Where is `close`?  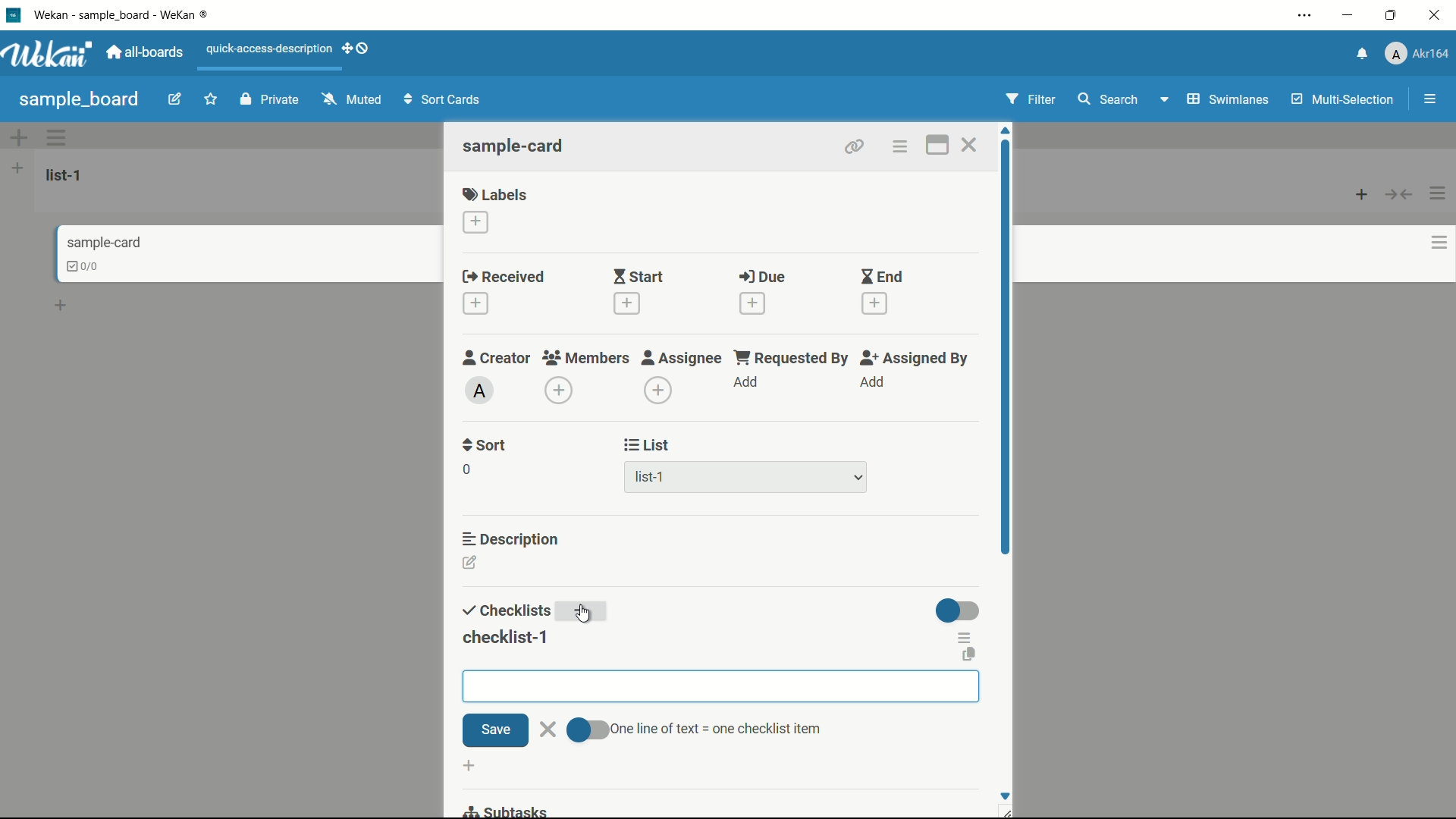 close is located at coordinates (548, 727).